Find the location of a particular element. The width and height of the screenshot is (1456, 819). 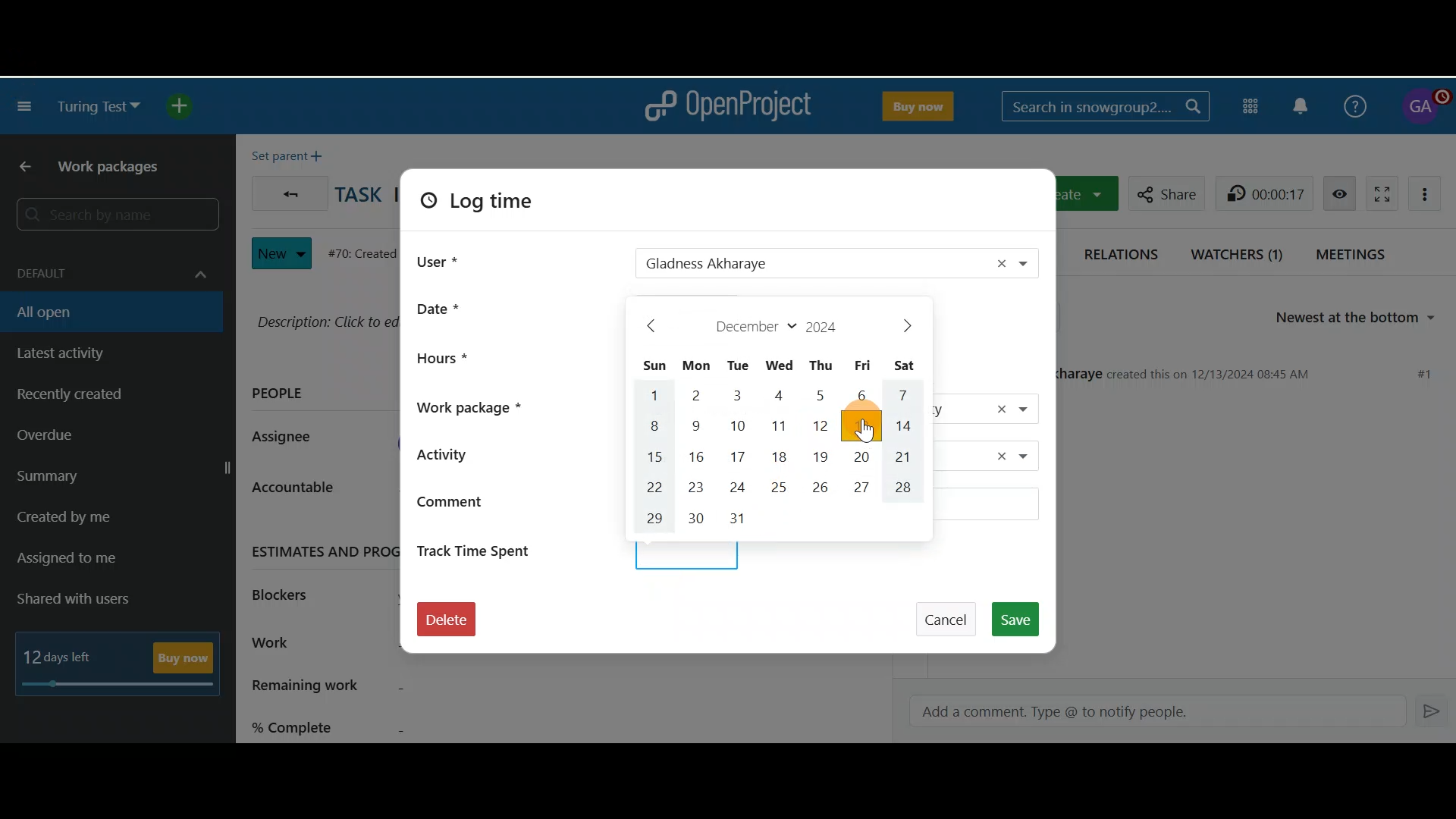

Overdue is located at coordinates (86, 440).